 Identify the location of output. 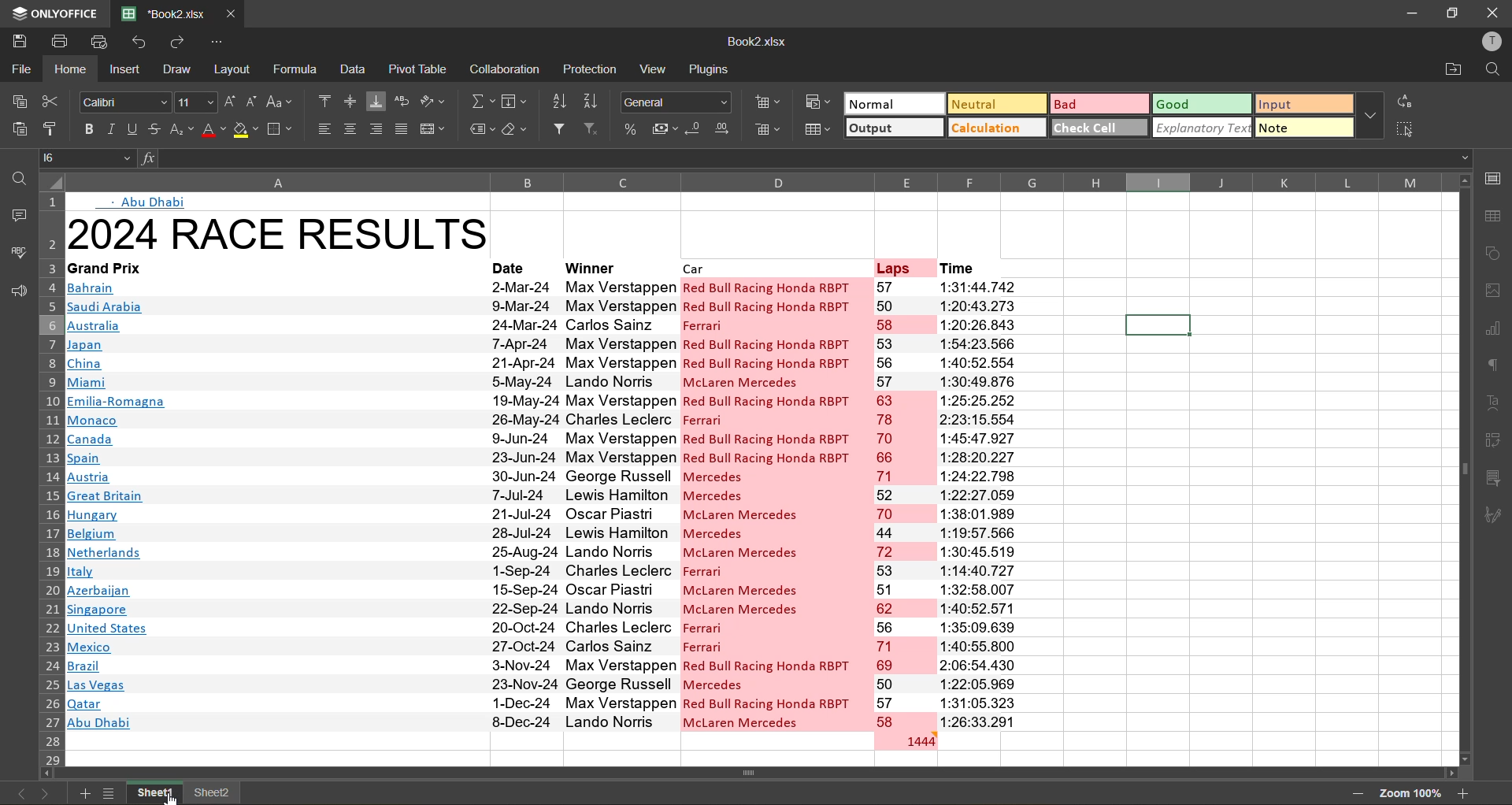
(890, 128).